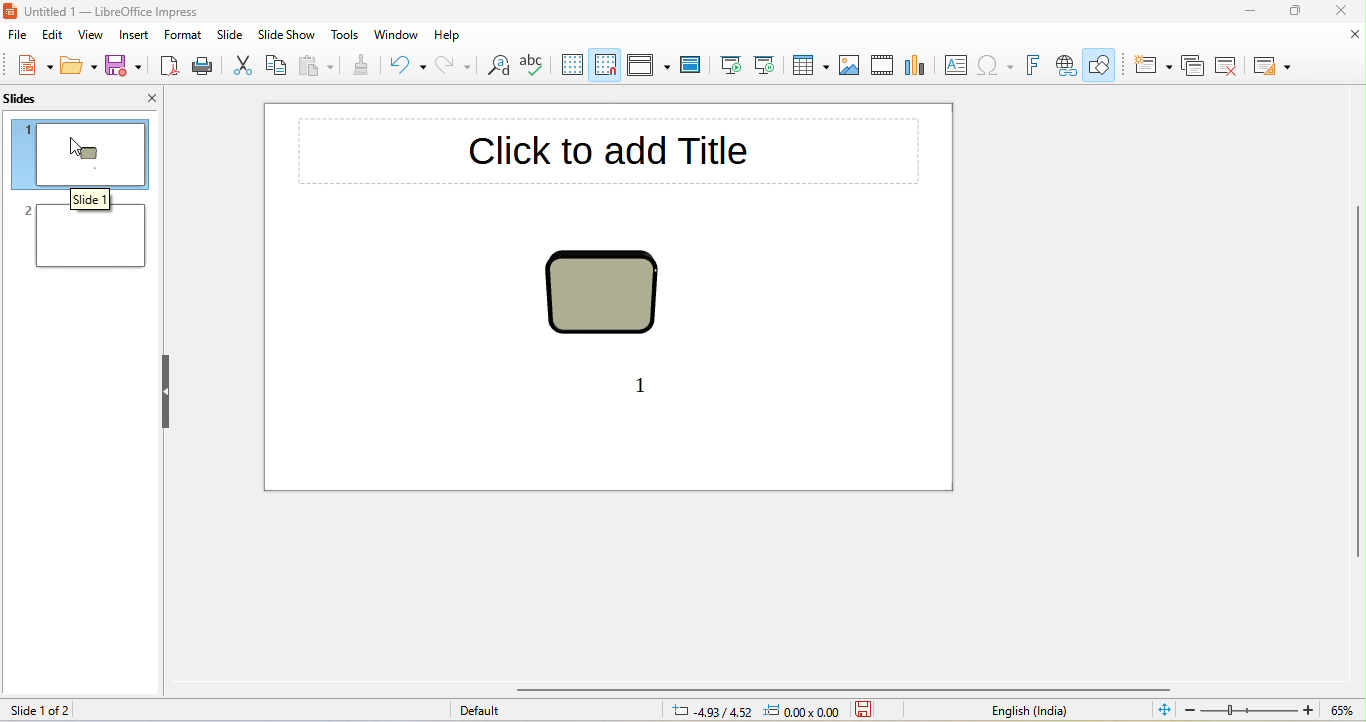 This screenshot has width=1366, height=722. What do you see at coordinates (84, 236) in the screenshot?
I see `slide 2` at bounding box center [84, 236].